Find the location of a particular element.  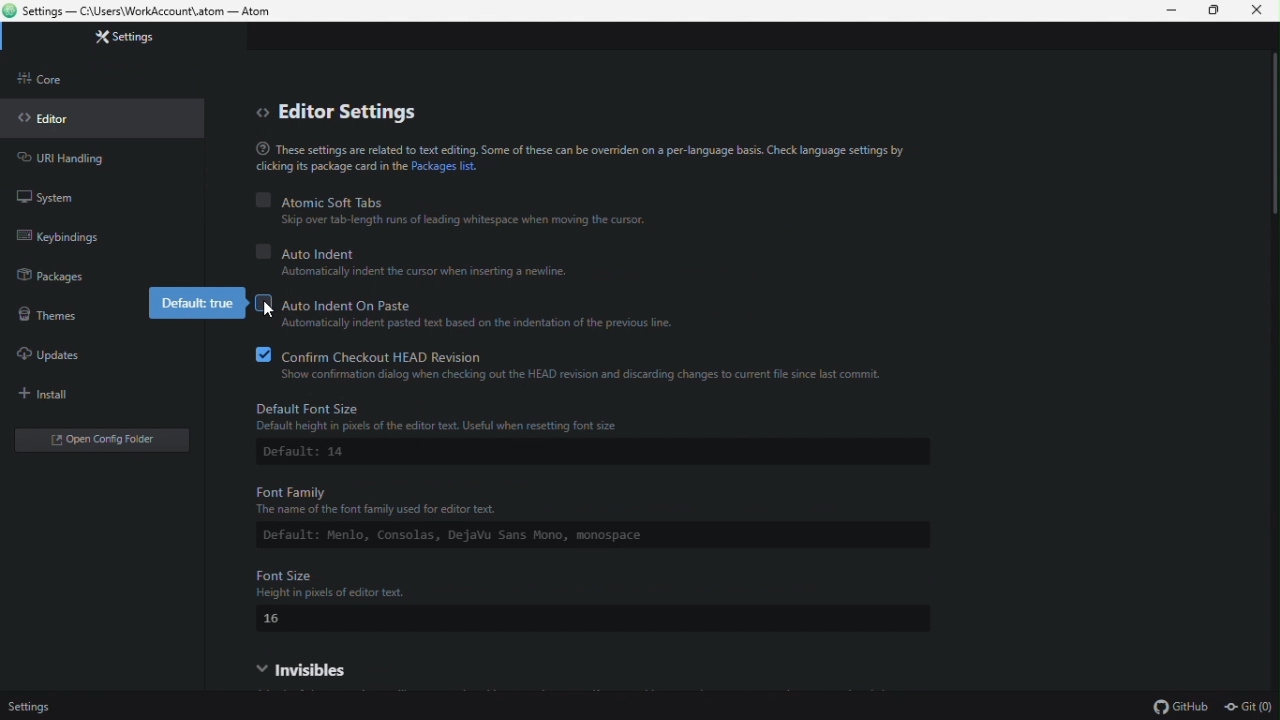

Packages is located at coordinates (57, 277).